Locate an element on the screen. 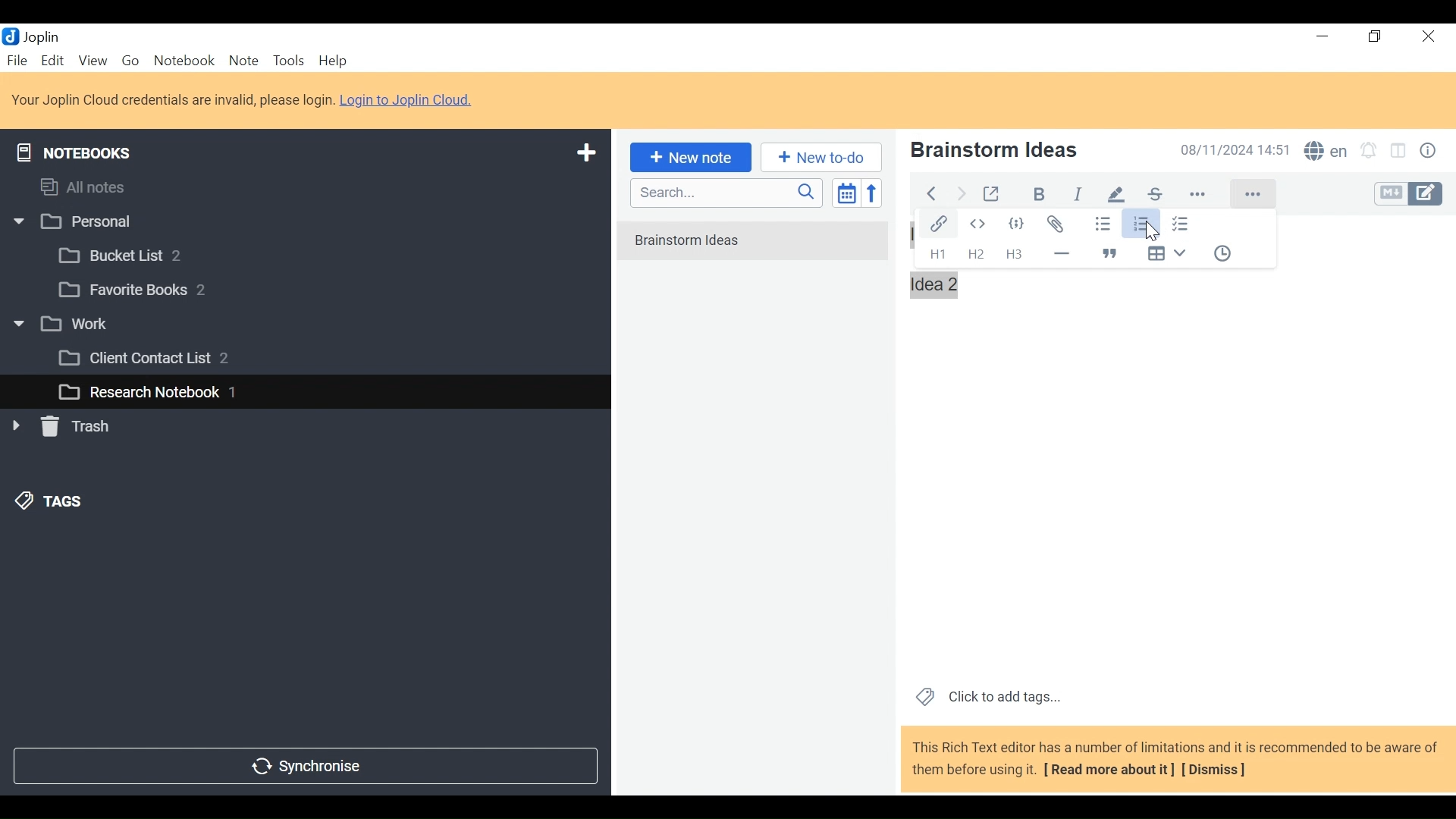  italiac is located at coordinates (1079, 190).